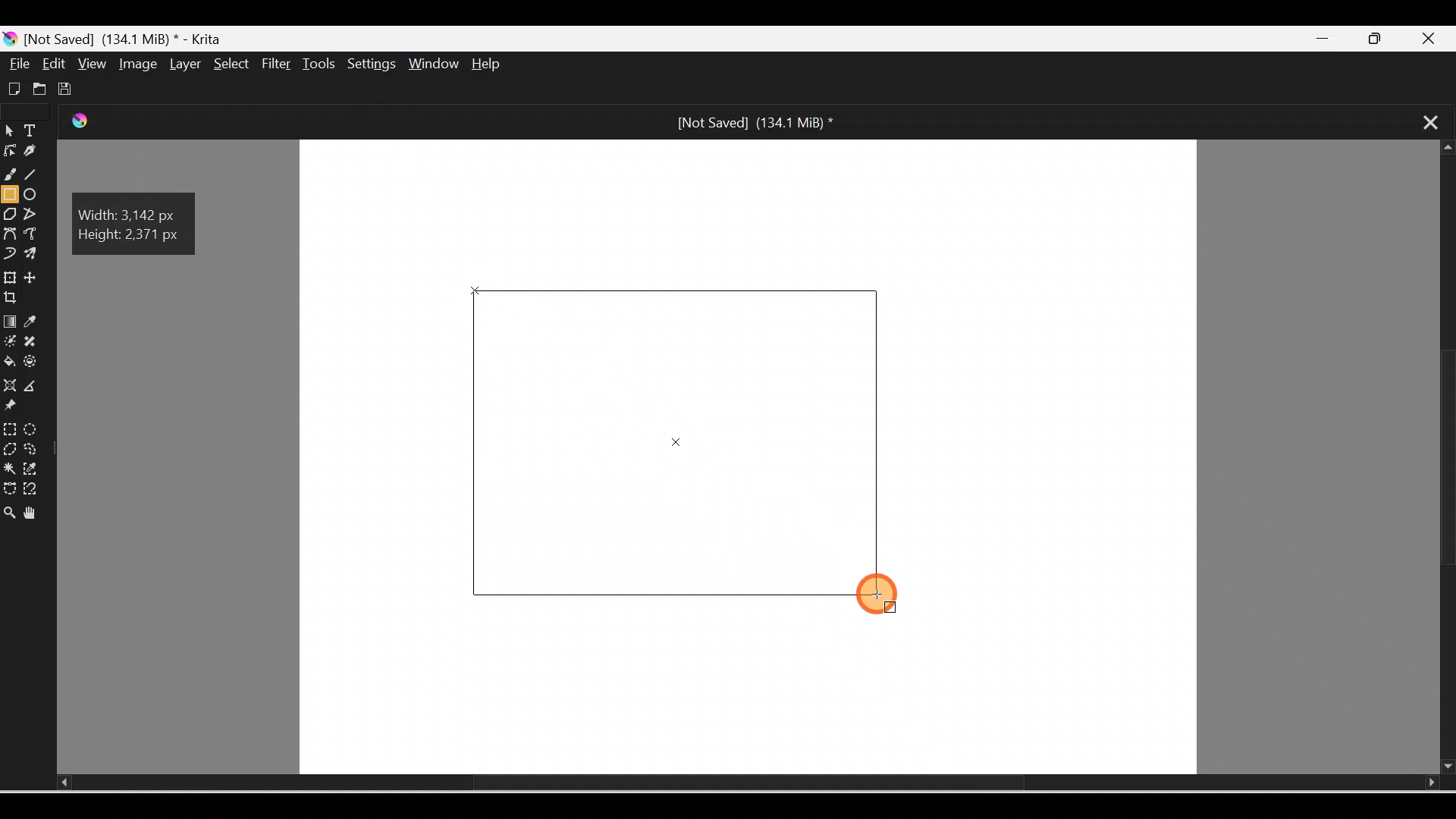 Image resolution: width=1456 pixels, height=819 pixels. I want to click on Cursor on Rectangle, so click(880, 596).